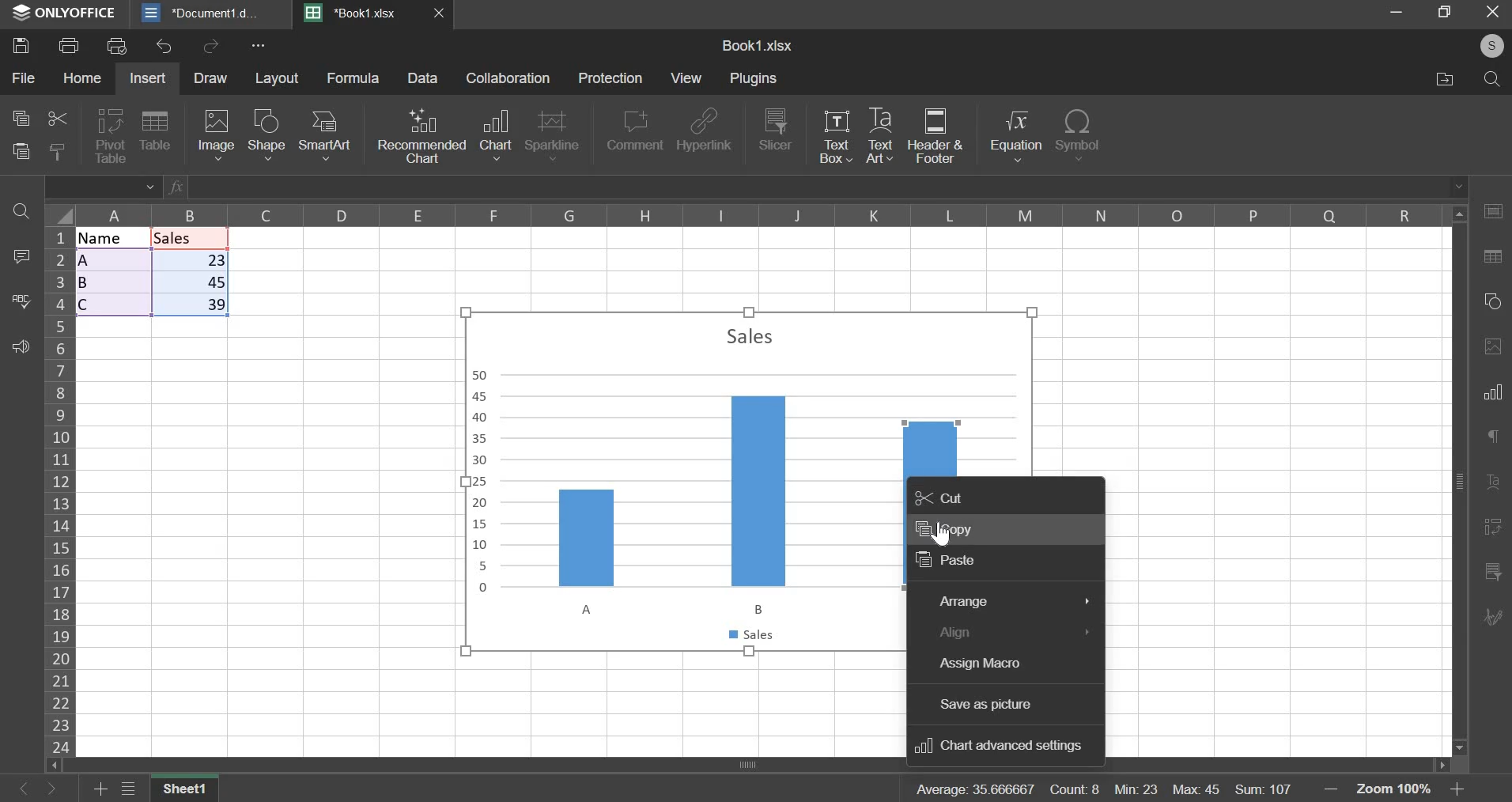 This screenshot has width=1512, height=802. What do you see at coordinates (756, 46) in the screenshot?
I see `sheet name` at bounding box center [756, 46].